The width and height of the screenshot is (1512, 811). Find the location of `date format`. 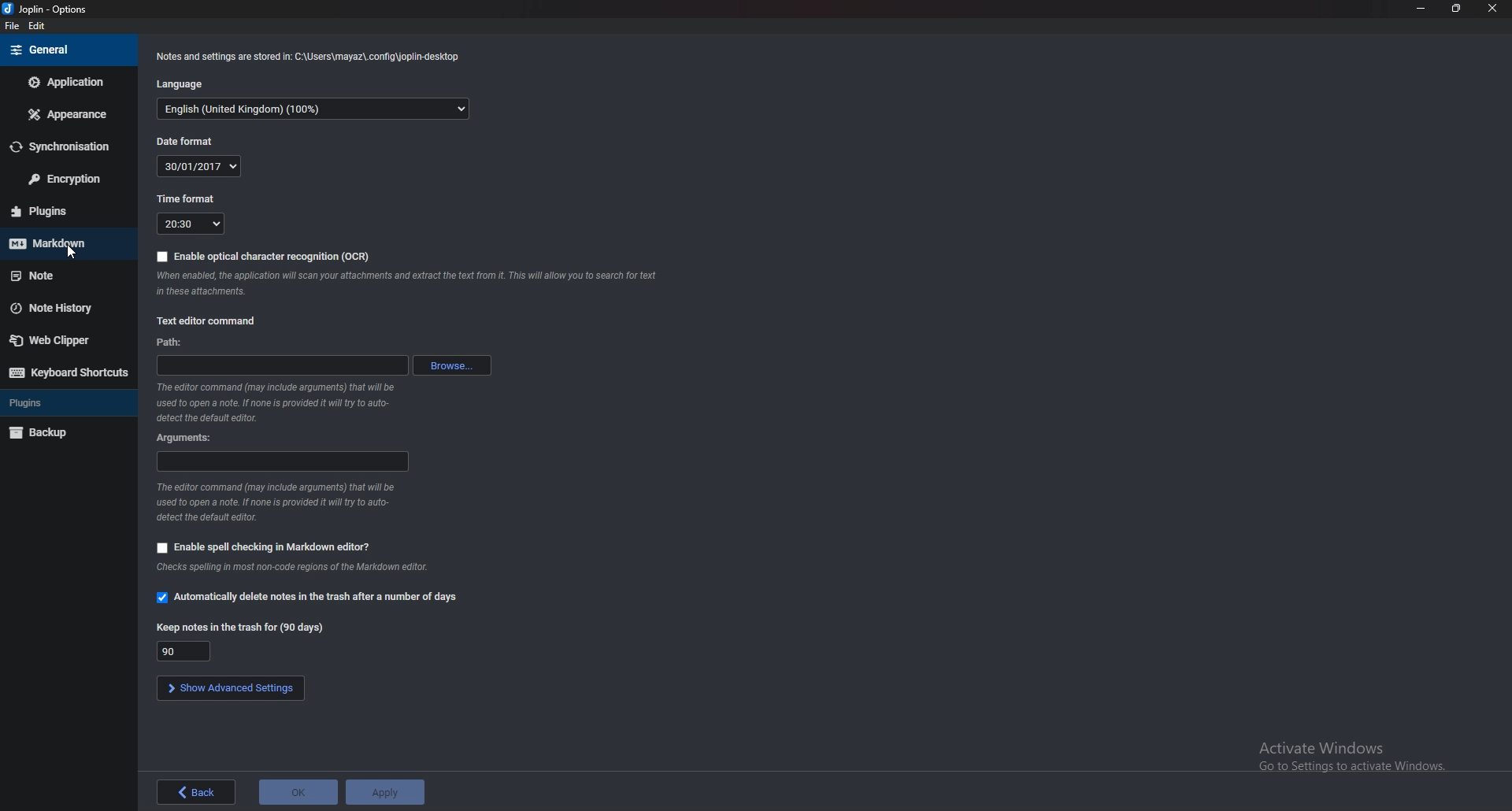

date format is located at coordinates (197, 166).